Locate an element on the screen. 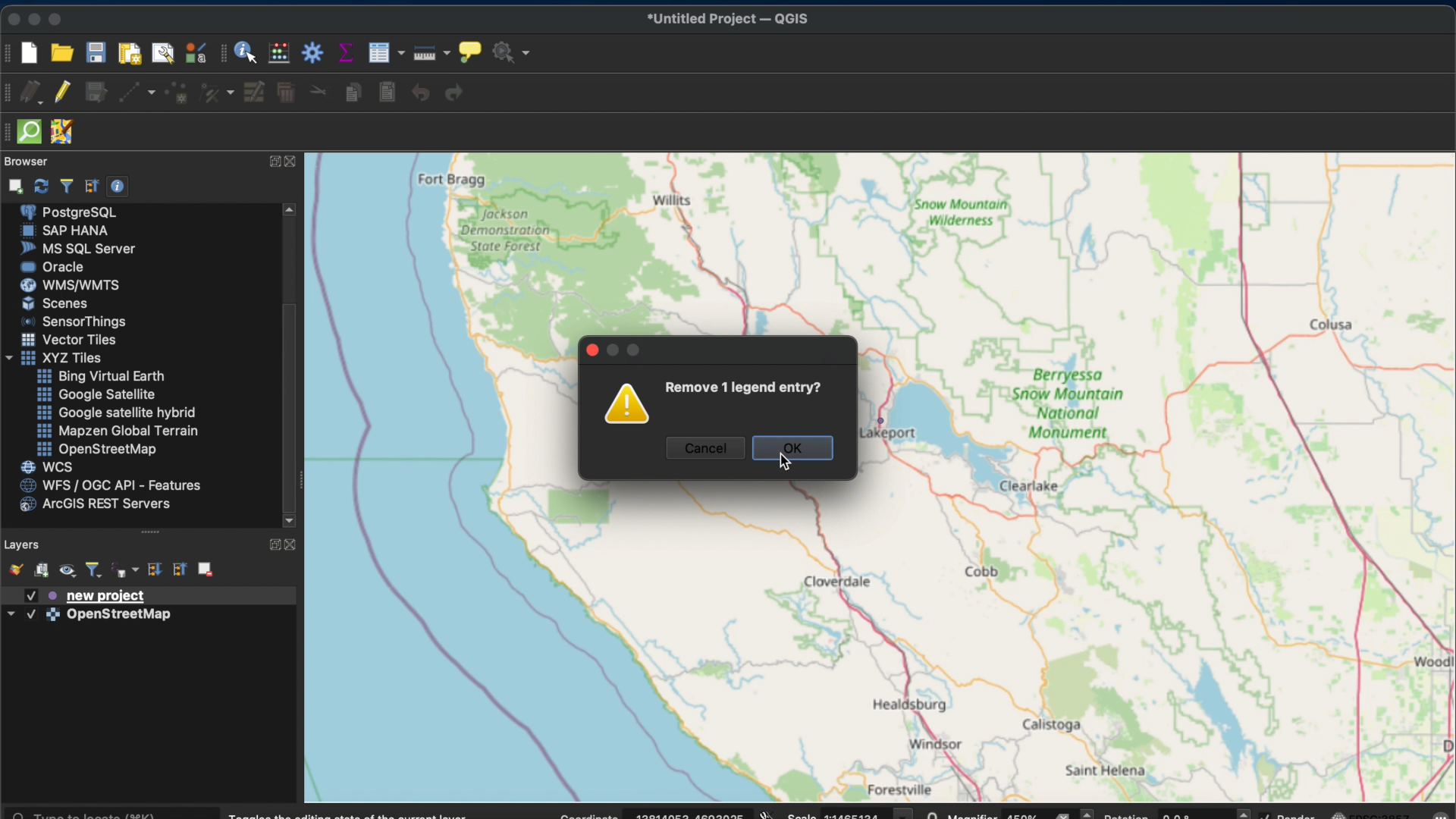 Image resolution: width=1456 pixels, height=819 pixels. mapzen global terrain is located at coordinates (116, 431).